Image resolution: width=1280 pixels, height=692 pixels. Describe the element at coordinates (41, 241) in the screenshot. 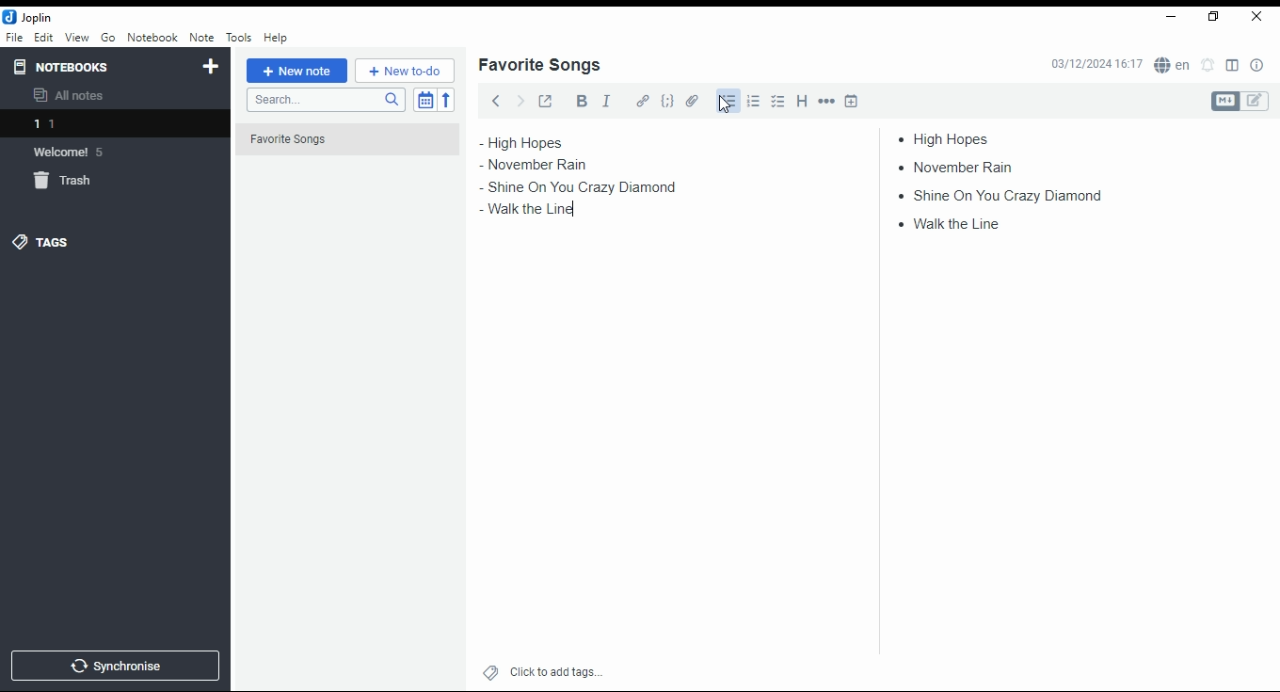

I see `tags` at that location.